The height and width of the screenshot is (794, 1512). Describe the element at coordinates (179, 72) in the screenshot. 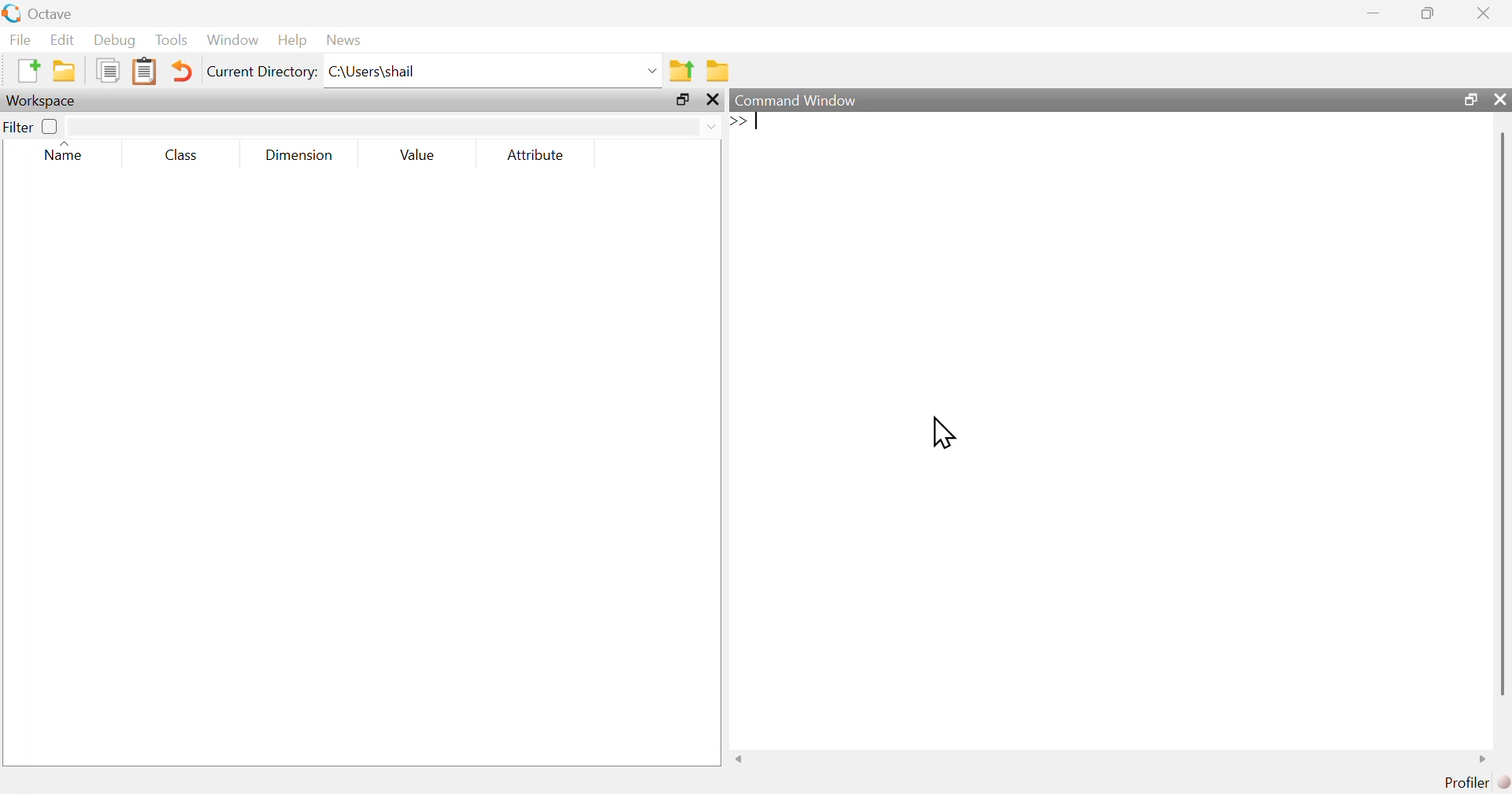

I see `Undo` at that location.